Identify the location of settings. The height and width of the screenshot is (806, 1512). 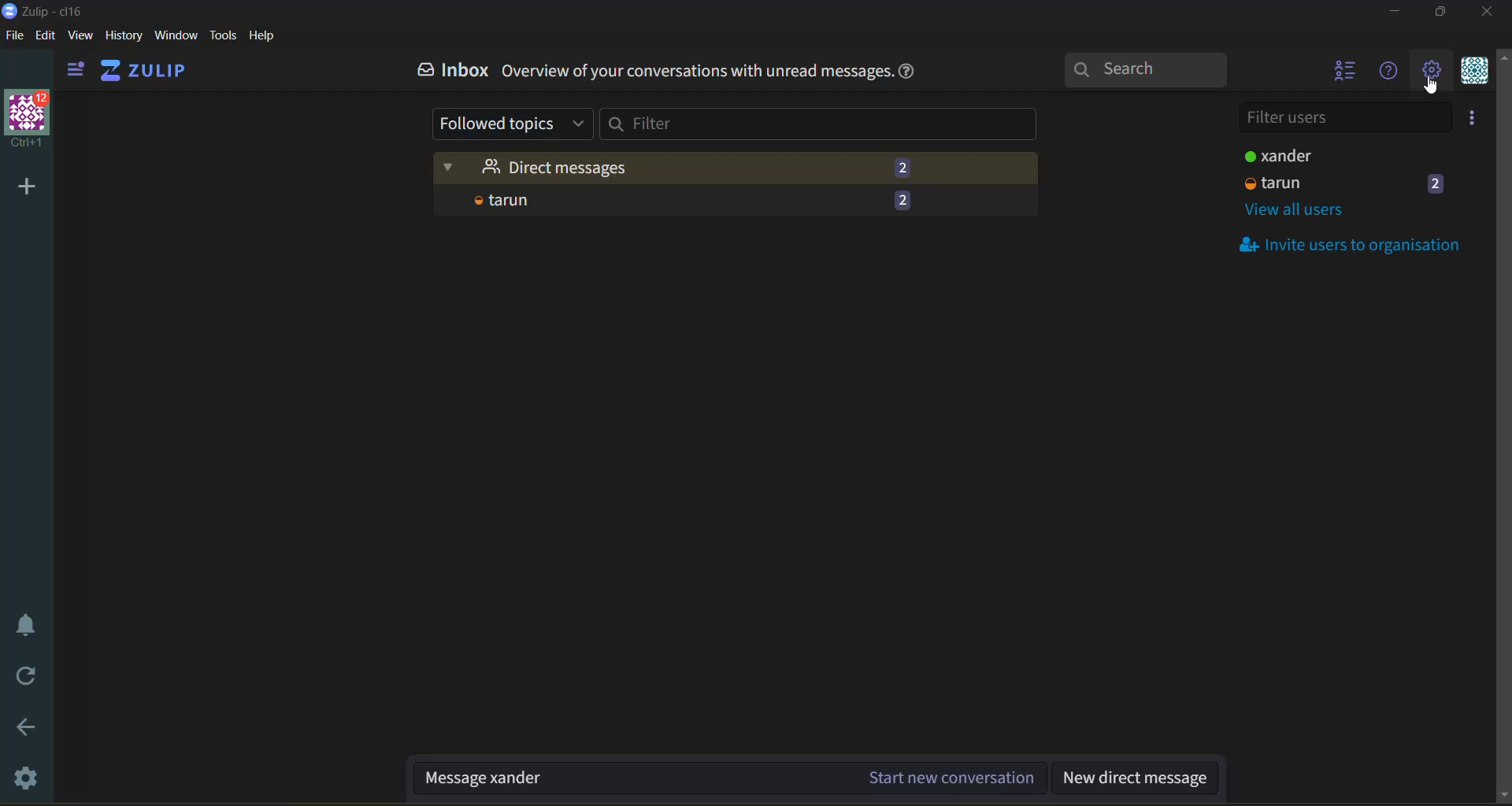
(29, 779).